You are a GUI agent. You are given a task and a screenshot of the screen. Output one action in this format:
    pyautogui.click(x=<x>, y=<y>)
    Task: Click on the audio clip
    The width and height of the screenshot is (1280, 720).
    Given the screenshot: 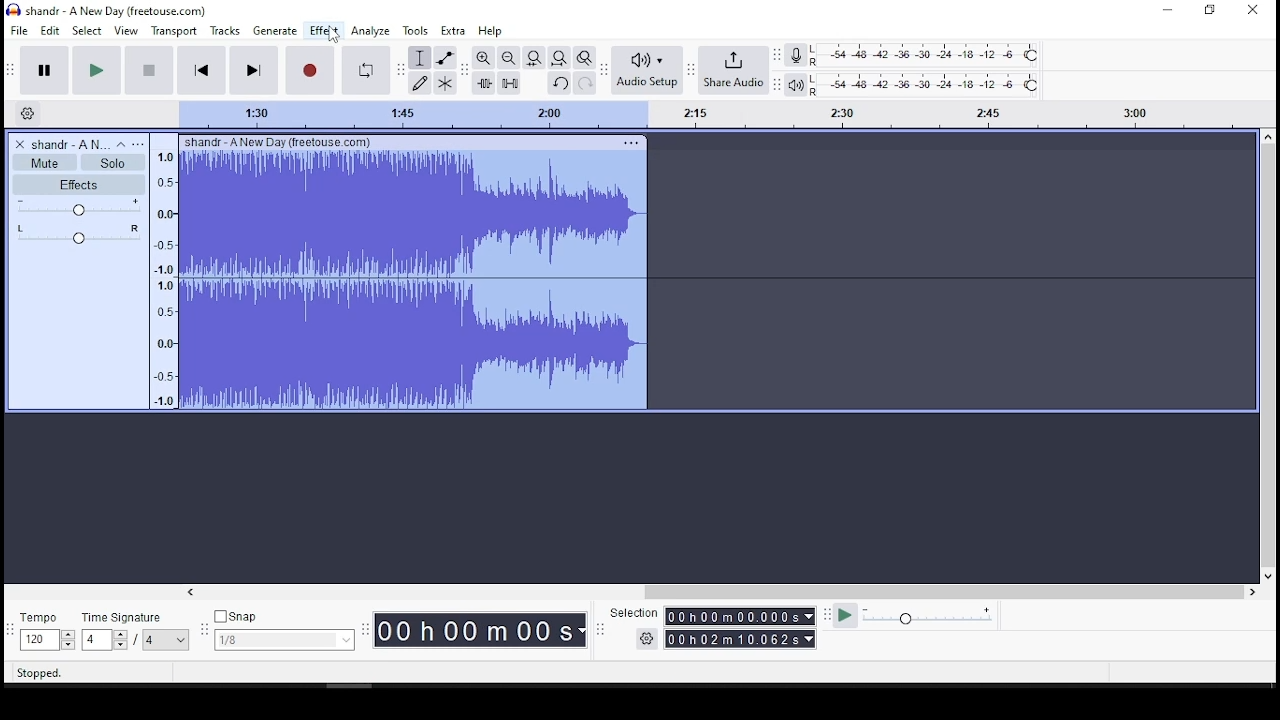 What is the action you would take?
    pyautogui.click(x=411, y=273)
    